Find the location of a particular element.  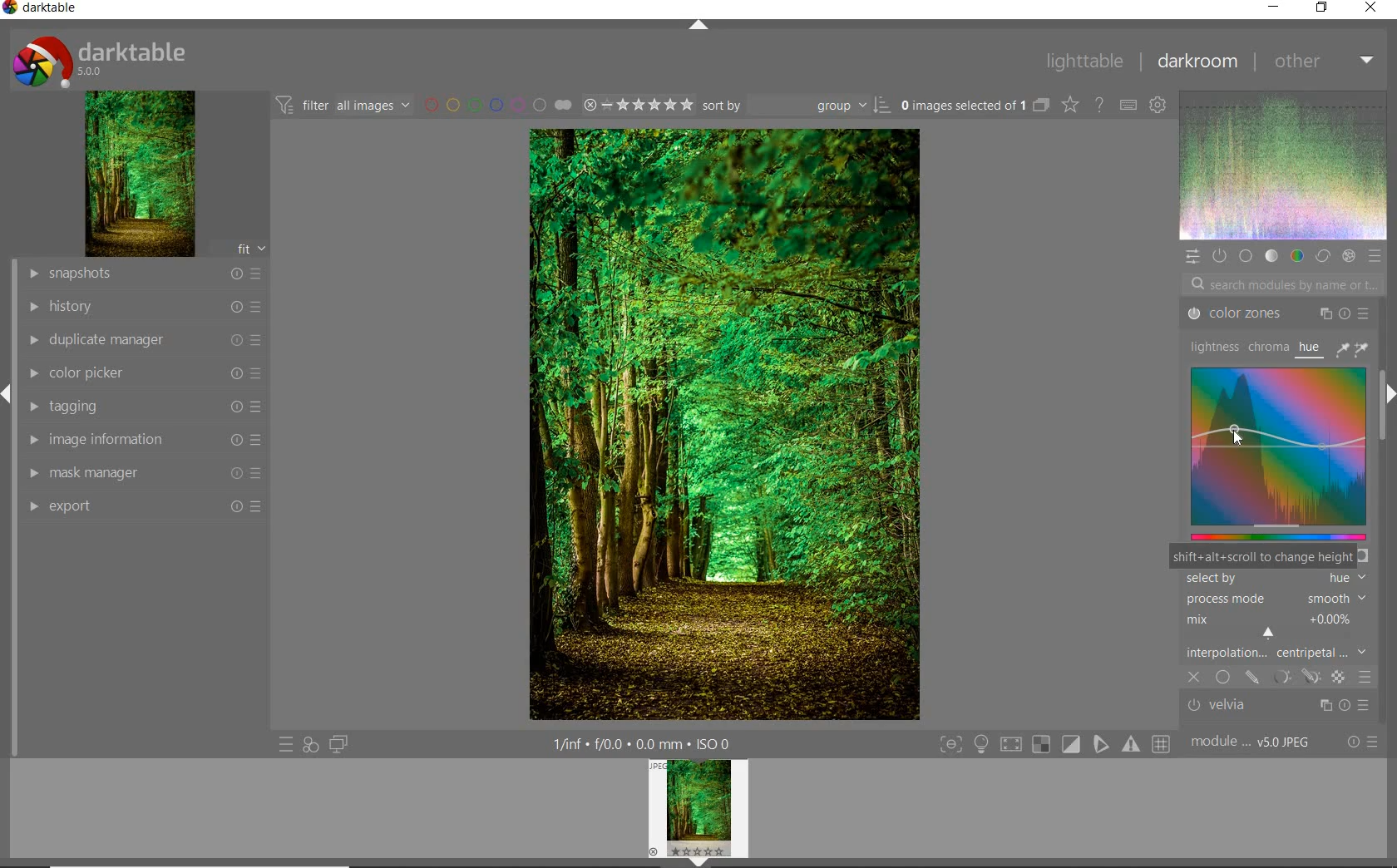

OTHER INTERFACE DETAILS is located at coordinates (641, 743).